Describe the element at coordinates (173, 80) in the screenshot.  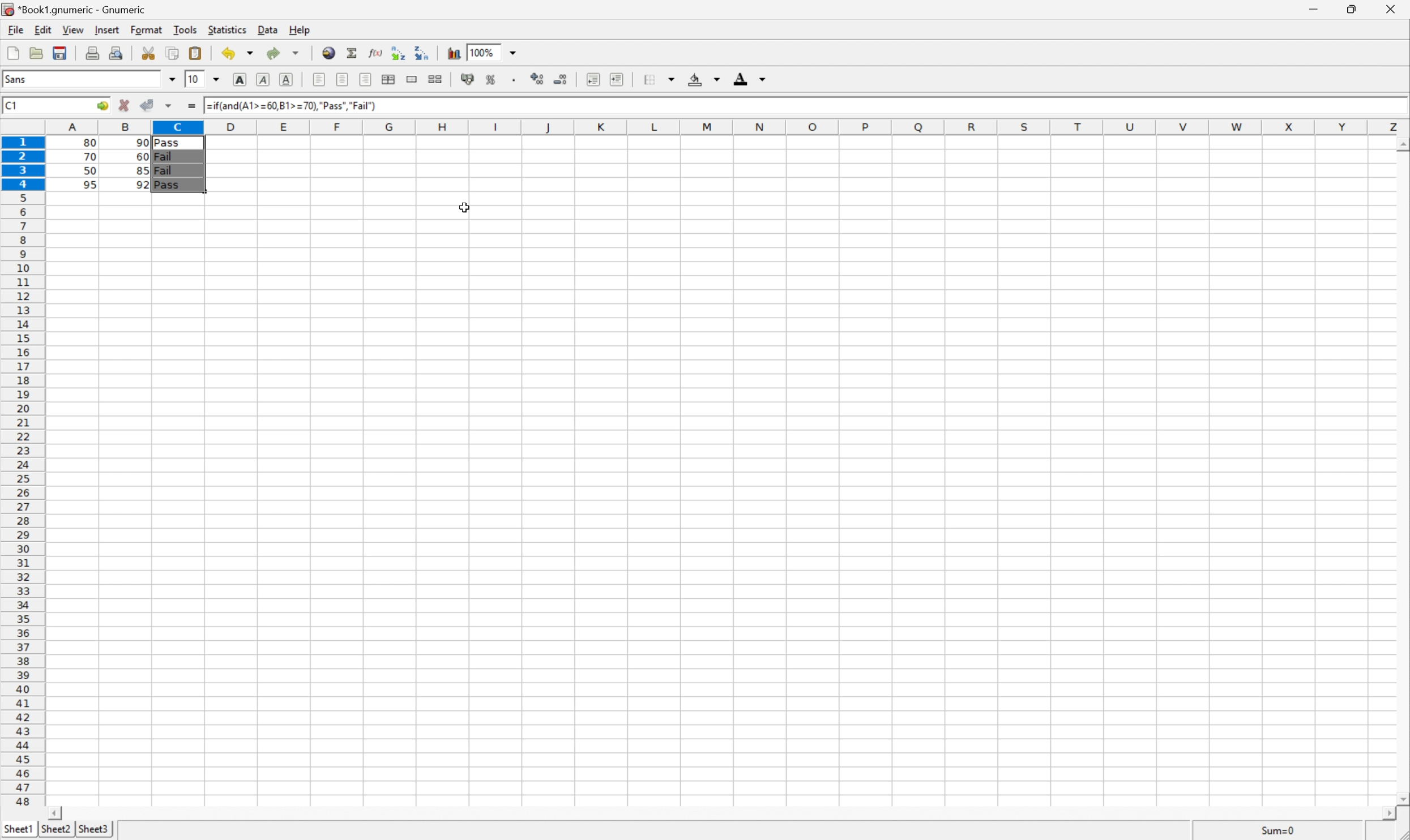
I see `Drop Down` at that location.